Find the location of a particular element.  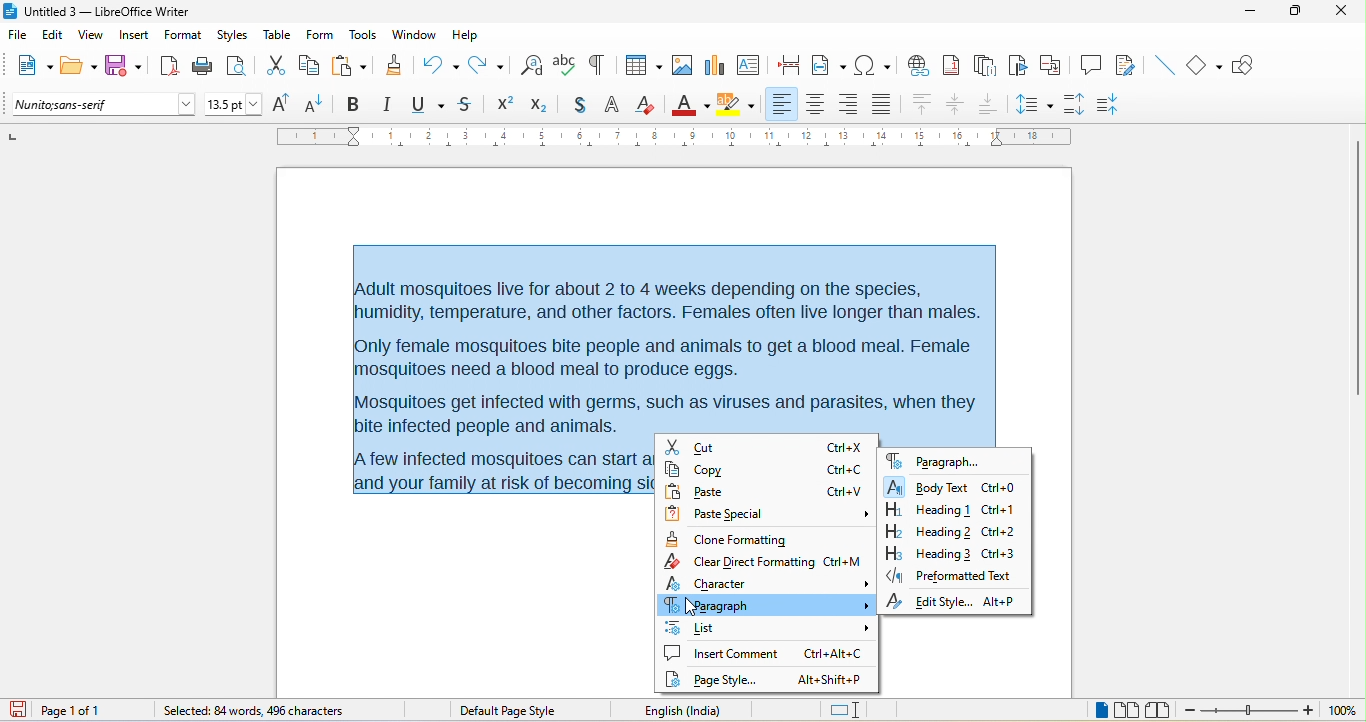

insert comment is located at coordinates (722, 653).